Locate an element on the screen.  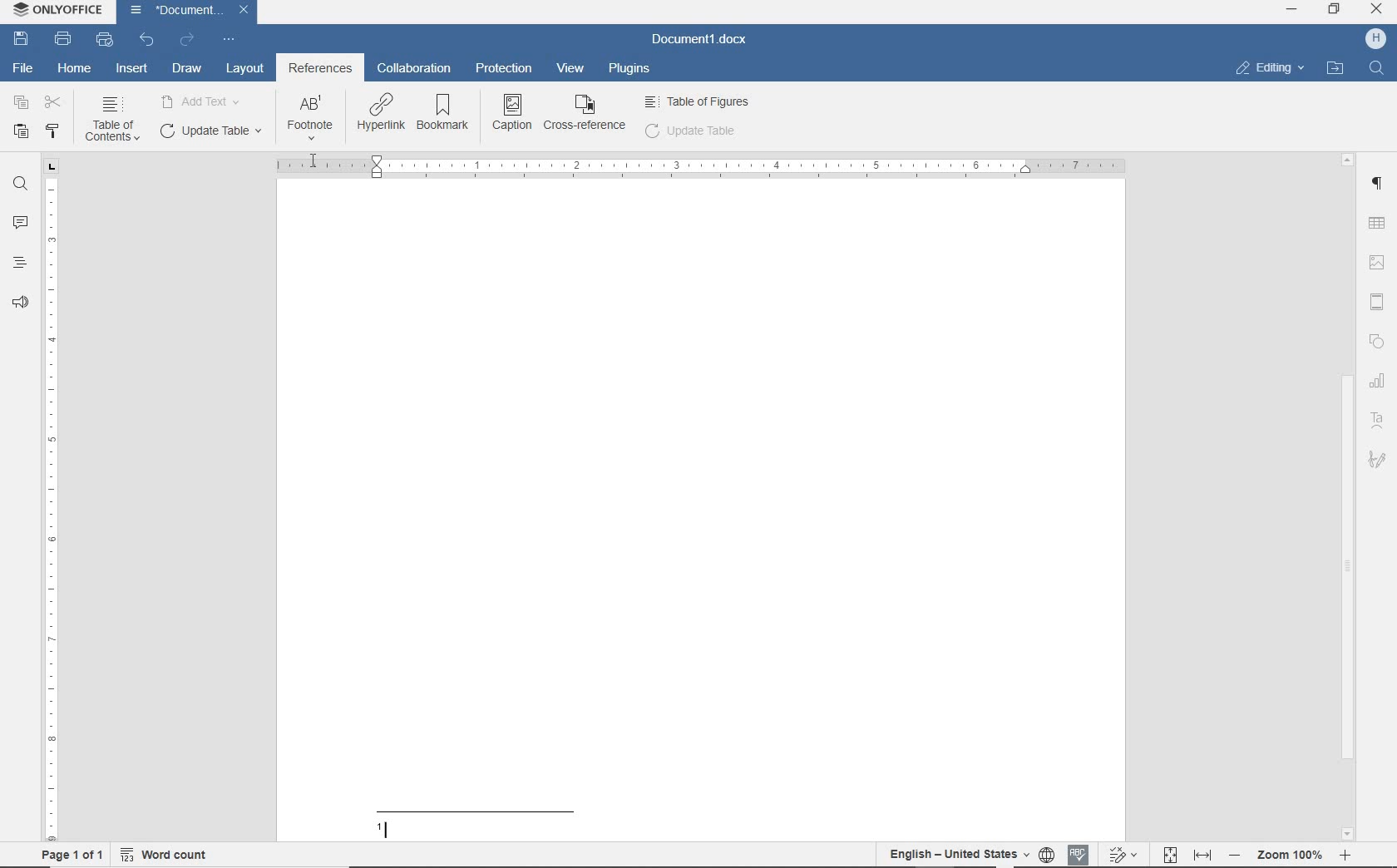
find and replace is located at coordinates (20, 186).